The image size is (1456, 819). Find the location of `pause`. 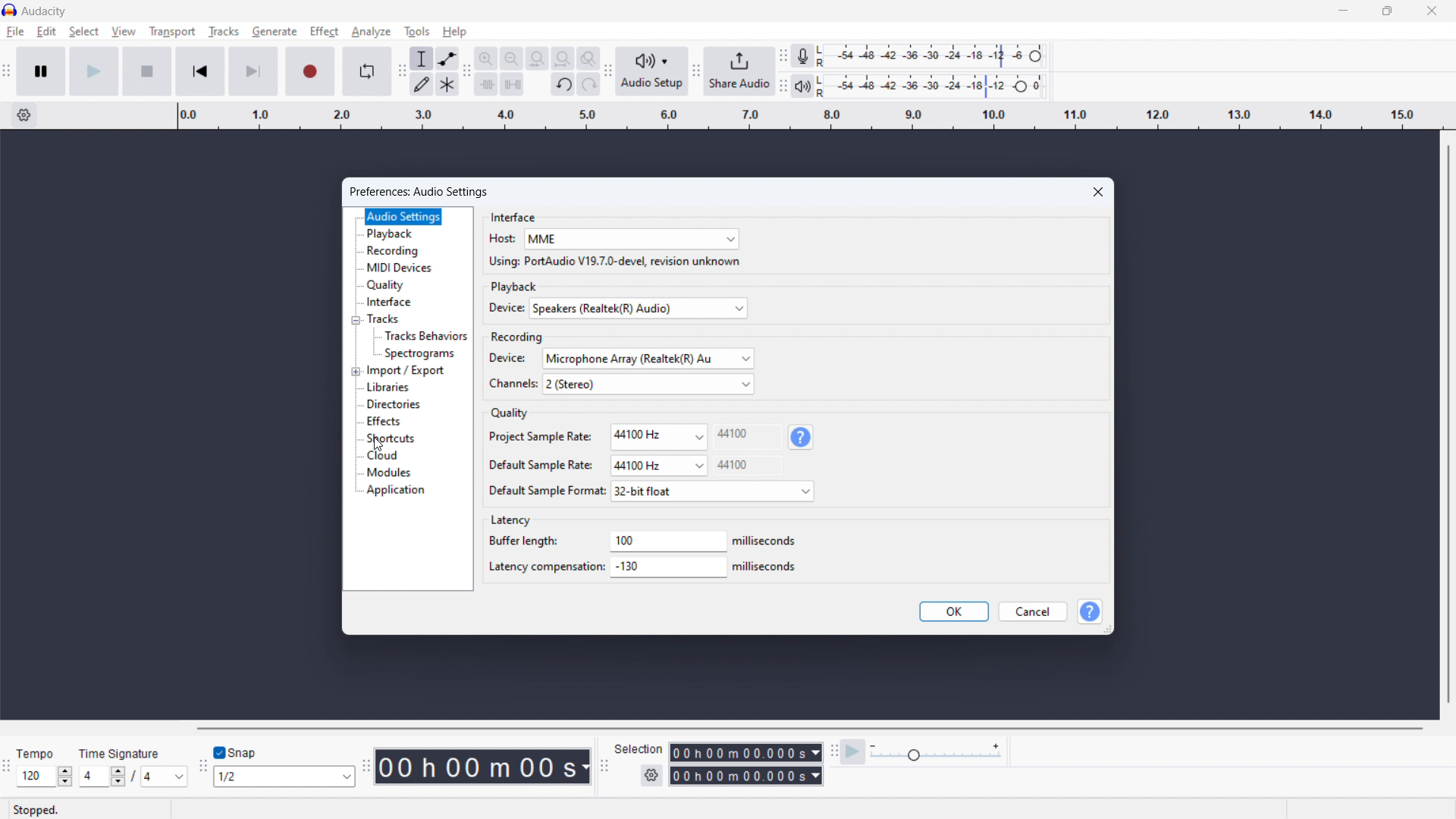

pause is located at coordinates (42, 71).